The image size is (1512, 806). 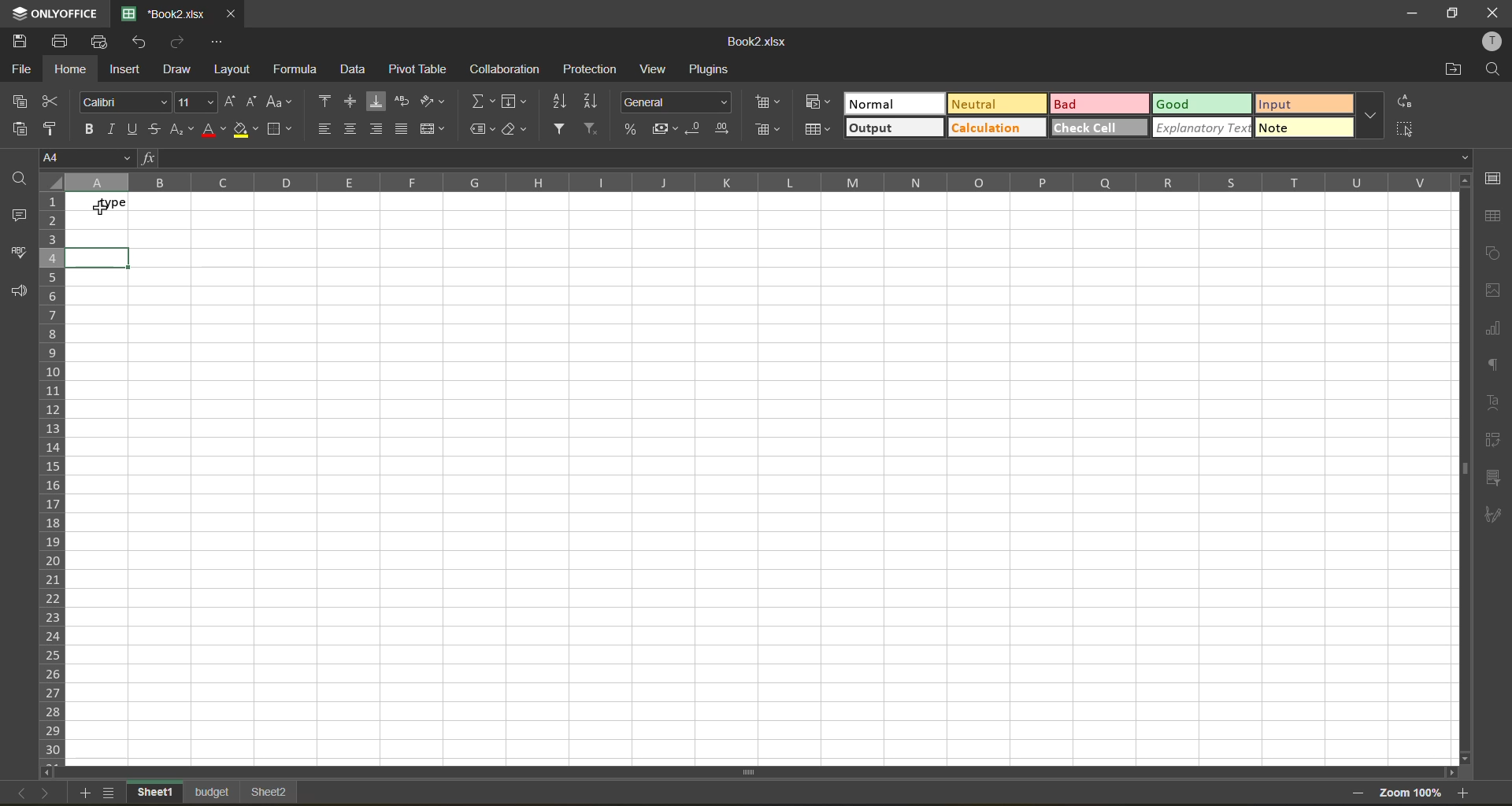 What do you see at coordinates (995, 102) in the screenshot?
I see `neutral` at bounding box center [995, 102].